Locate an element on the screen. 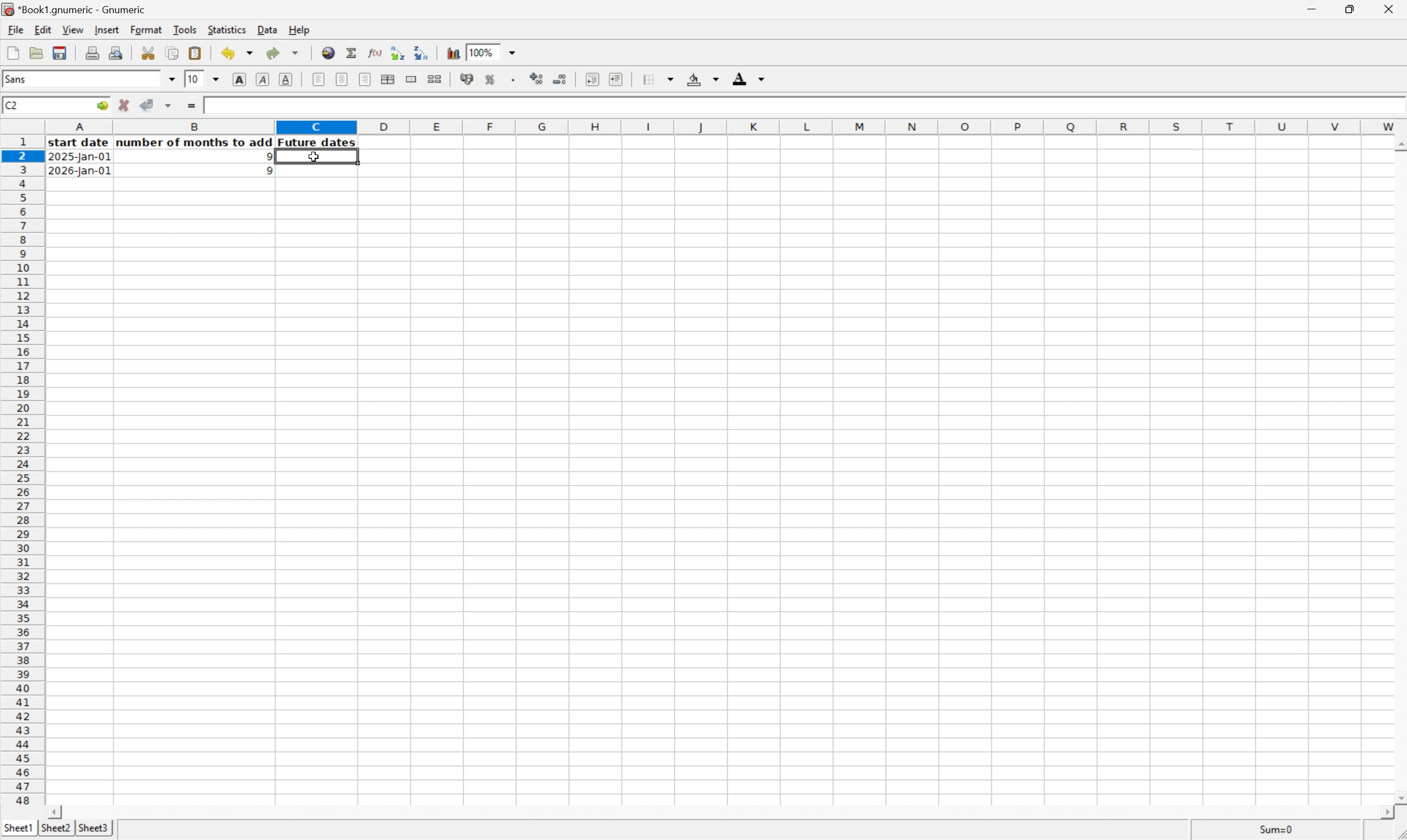  Insert a hyperlink is located at coordinates (329, 52).